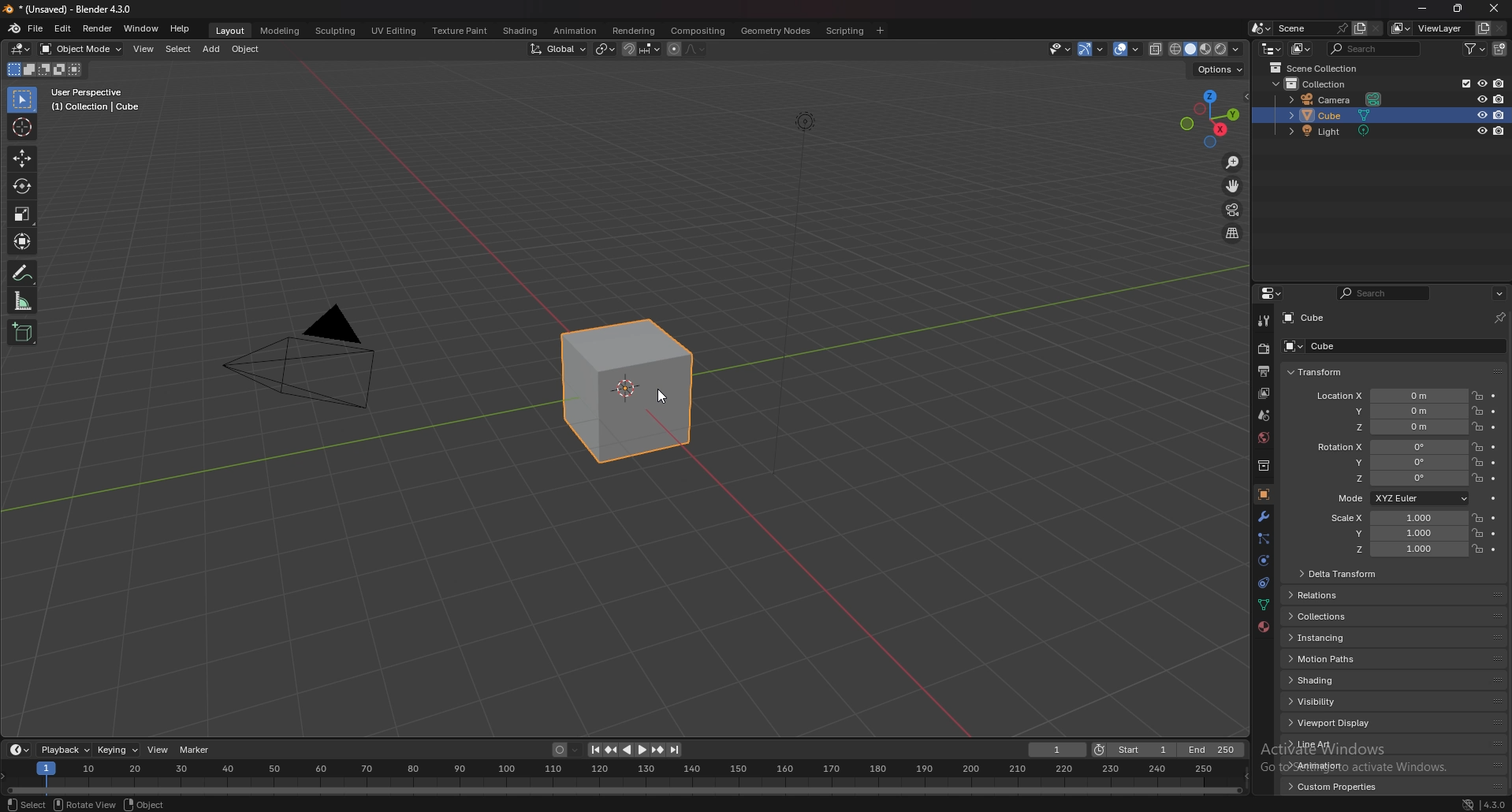  What do you see at coordinates (461, 31) in the screenshot?
I see `texture paint` at bounding box center [461, 31].